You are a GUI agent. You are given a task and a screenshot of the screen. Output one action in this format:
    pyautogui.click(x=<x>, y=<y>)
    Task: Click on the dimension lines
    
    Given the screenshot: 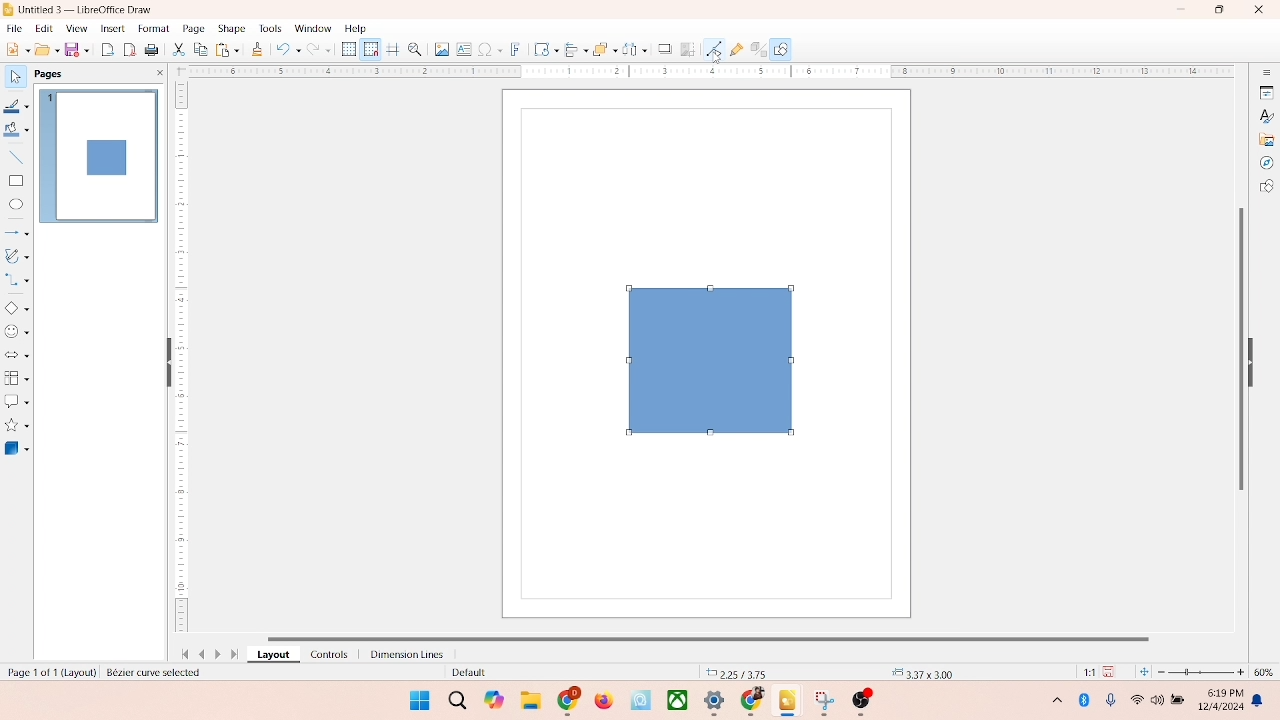 What is the action you would take?
    pyautogui.click(x=402, y=654)
    